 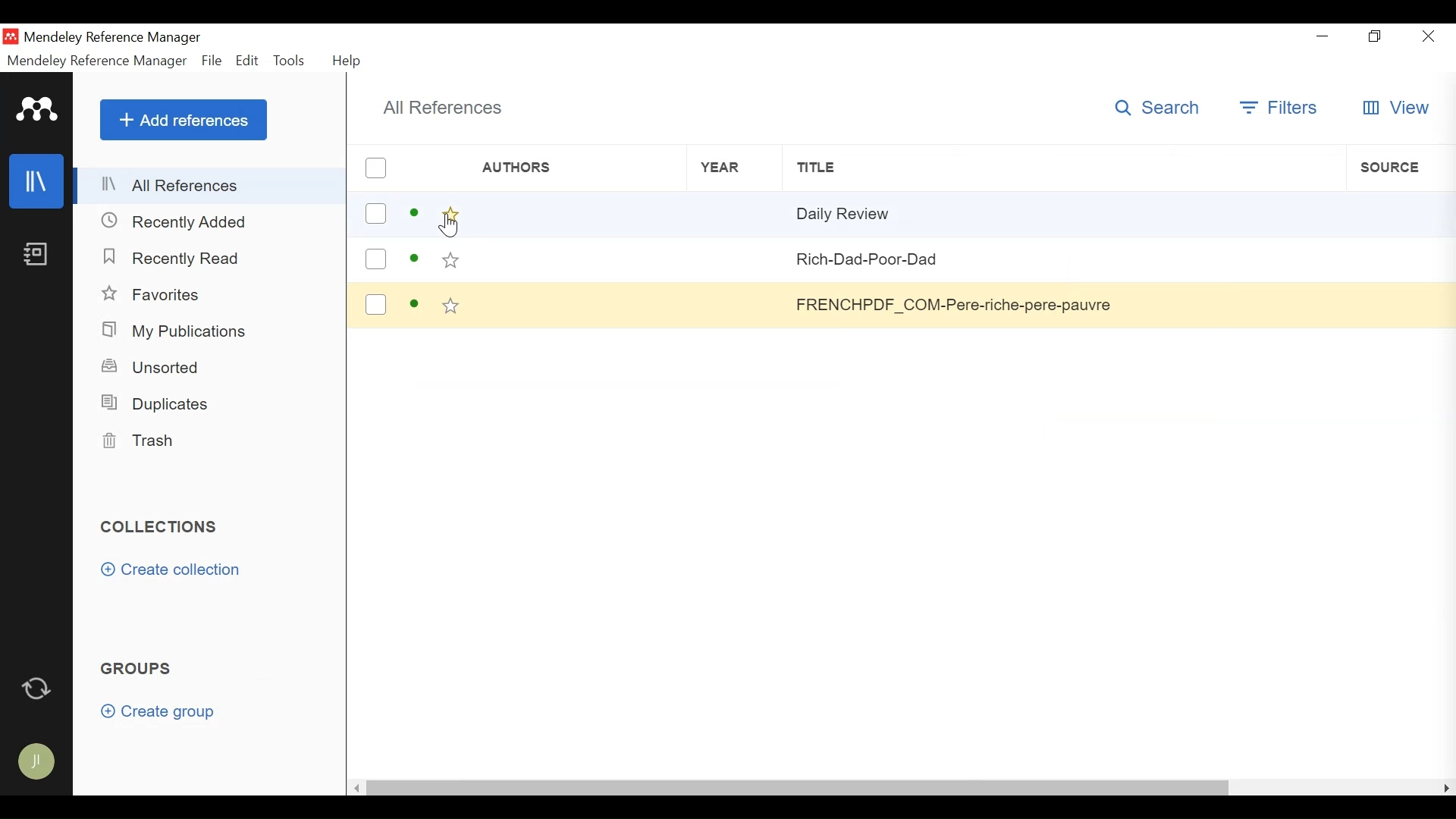 What do you see at coordinates (160, 525) in the screenshot?
I see `Collection` at bounding box center [160, 525].